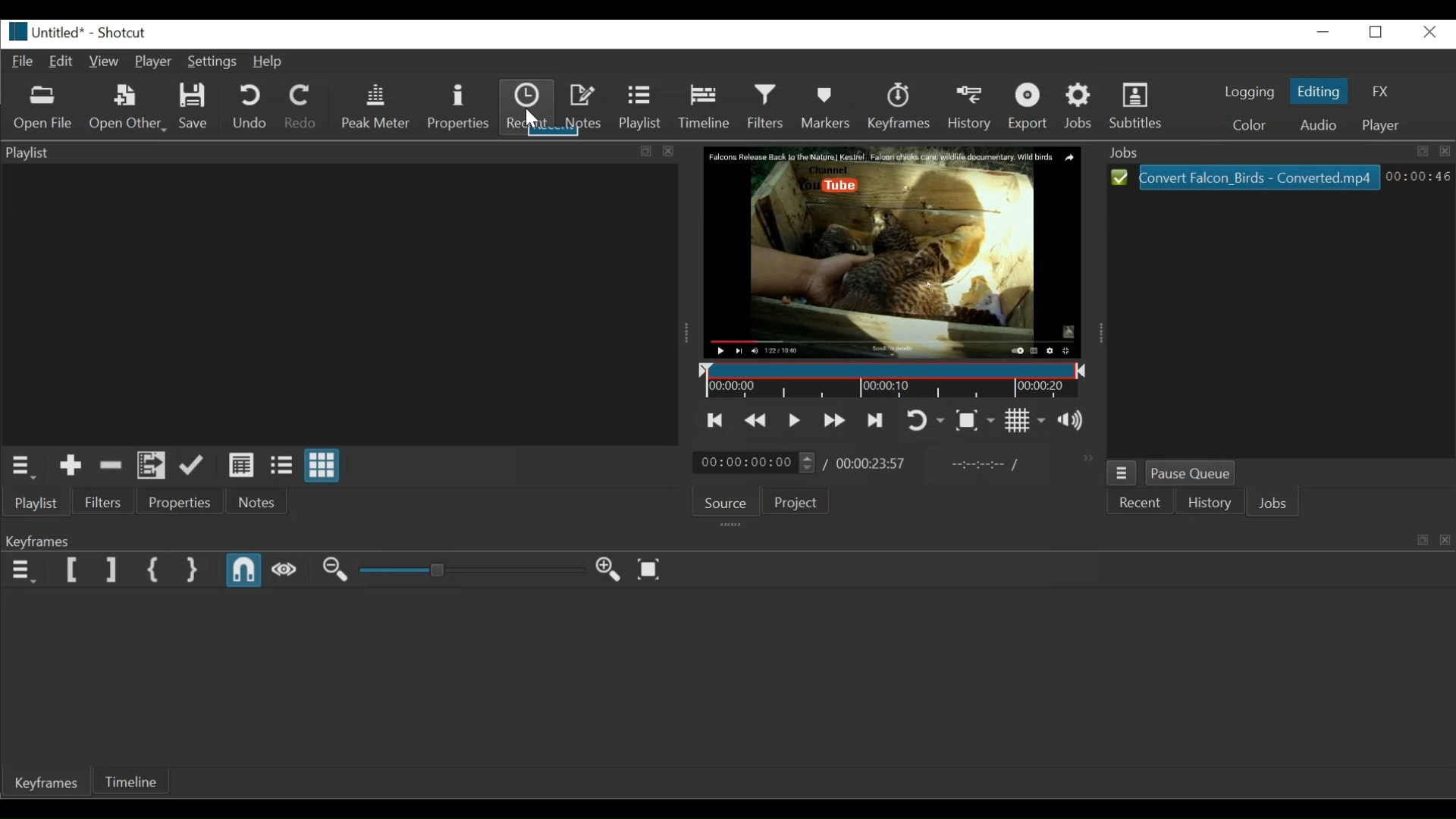  What do you see at coordinates (974, 420) in the screenshot?
I see `Toggle zoom` at bounding box center [974, 420].